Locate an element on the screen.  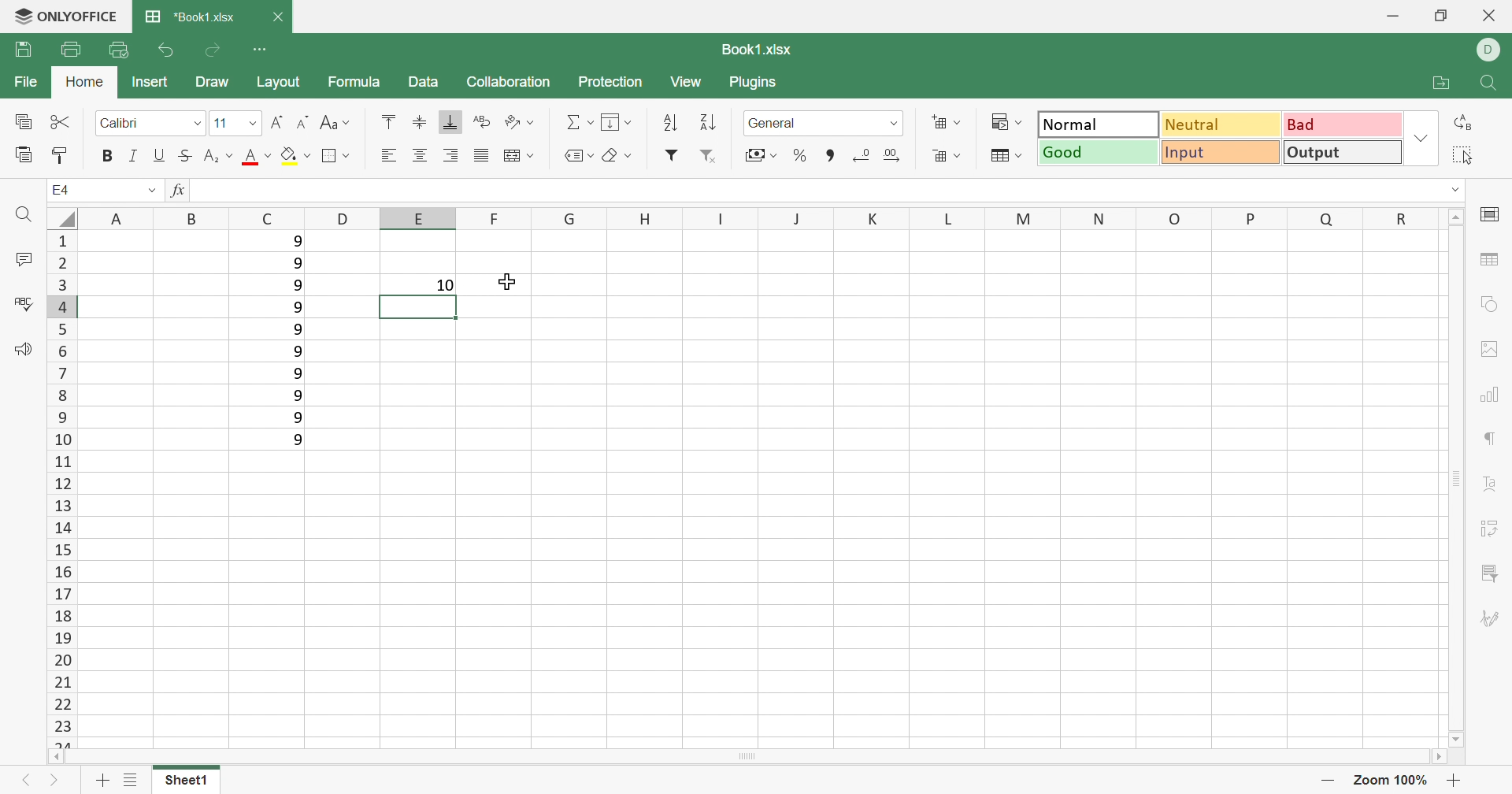
Slicer settings is located at coordinates (1491, 572).